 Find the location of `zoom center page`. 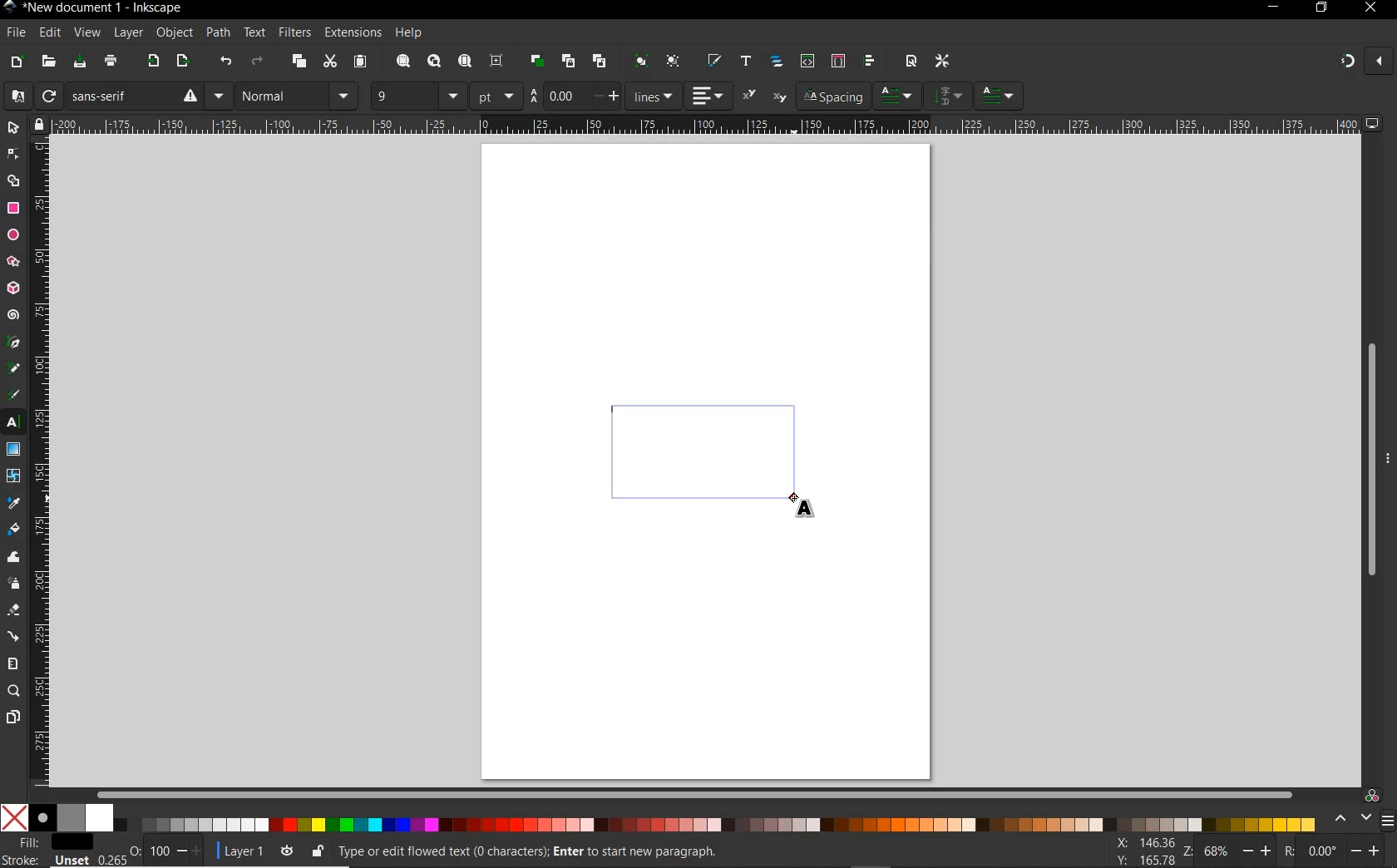

zoom center page is located at coordinates (497, 61).